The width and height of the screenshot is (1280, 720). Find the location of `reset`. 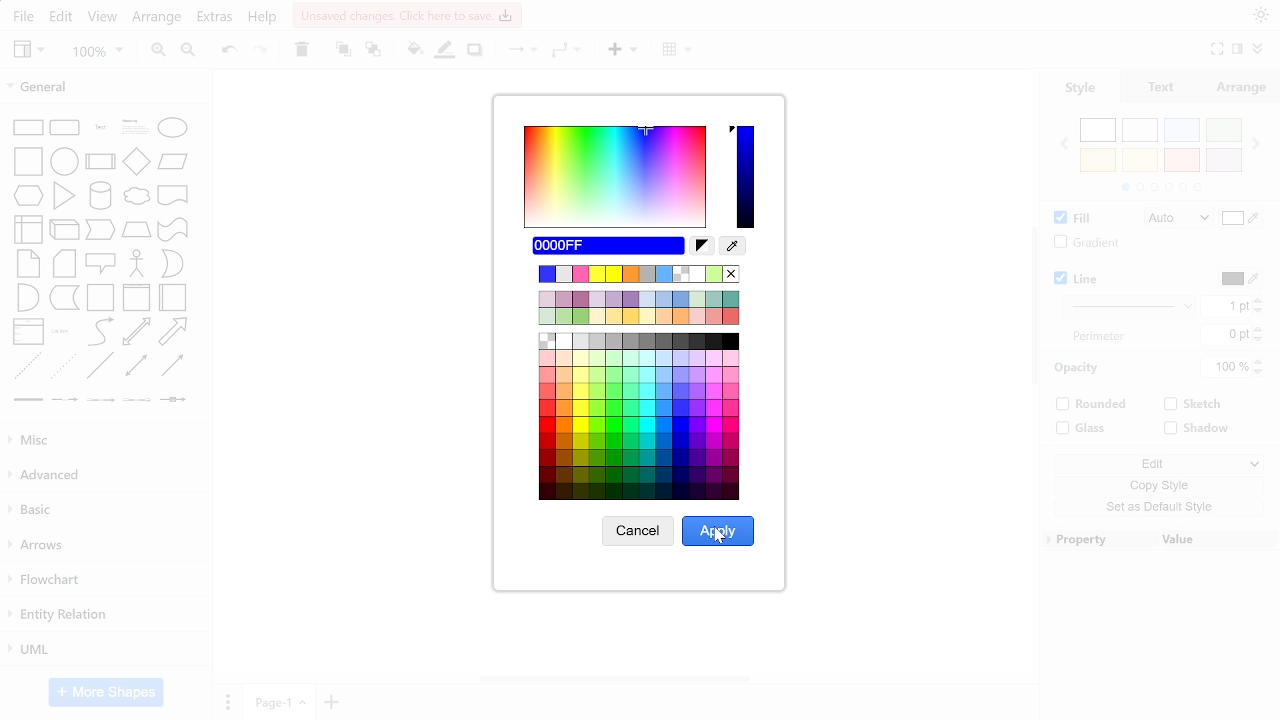

reset is located at coordinates (702, 246).